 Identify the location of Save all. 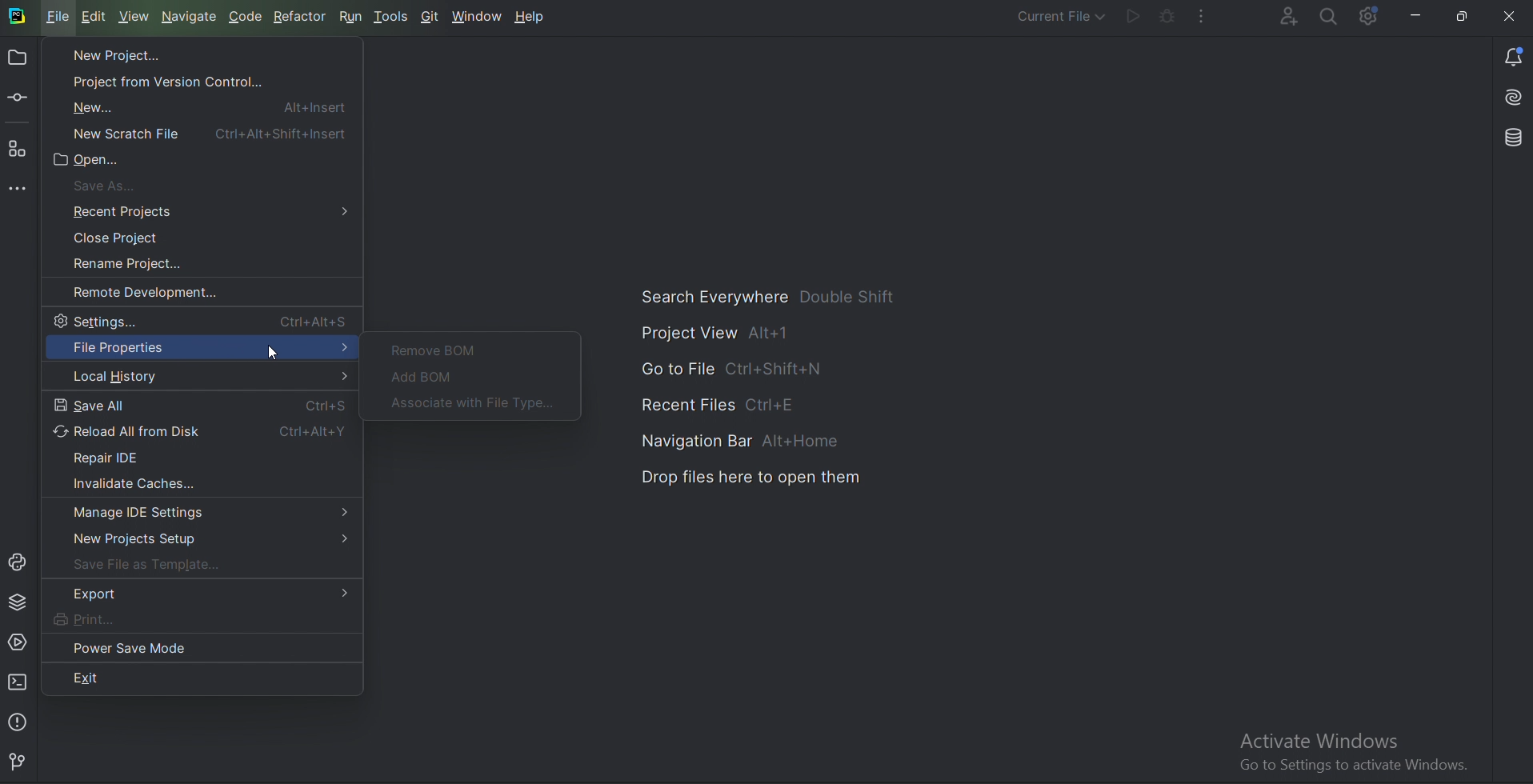
(202, 405).